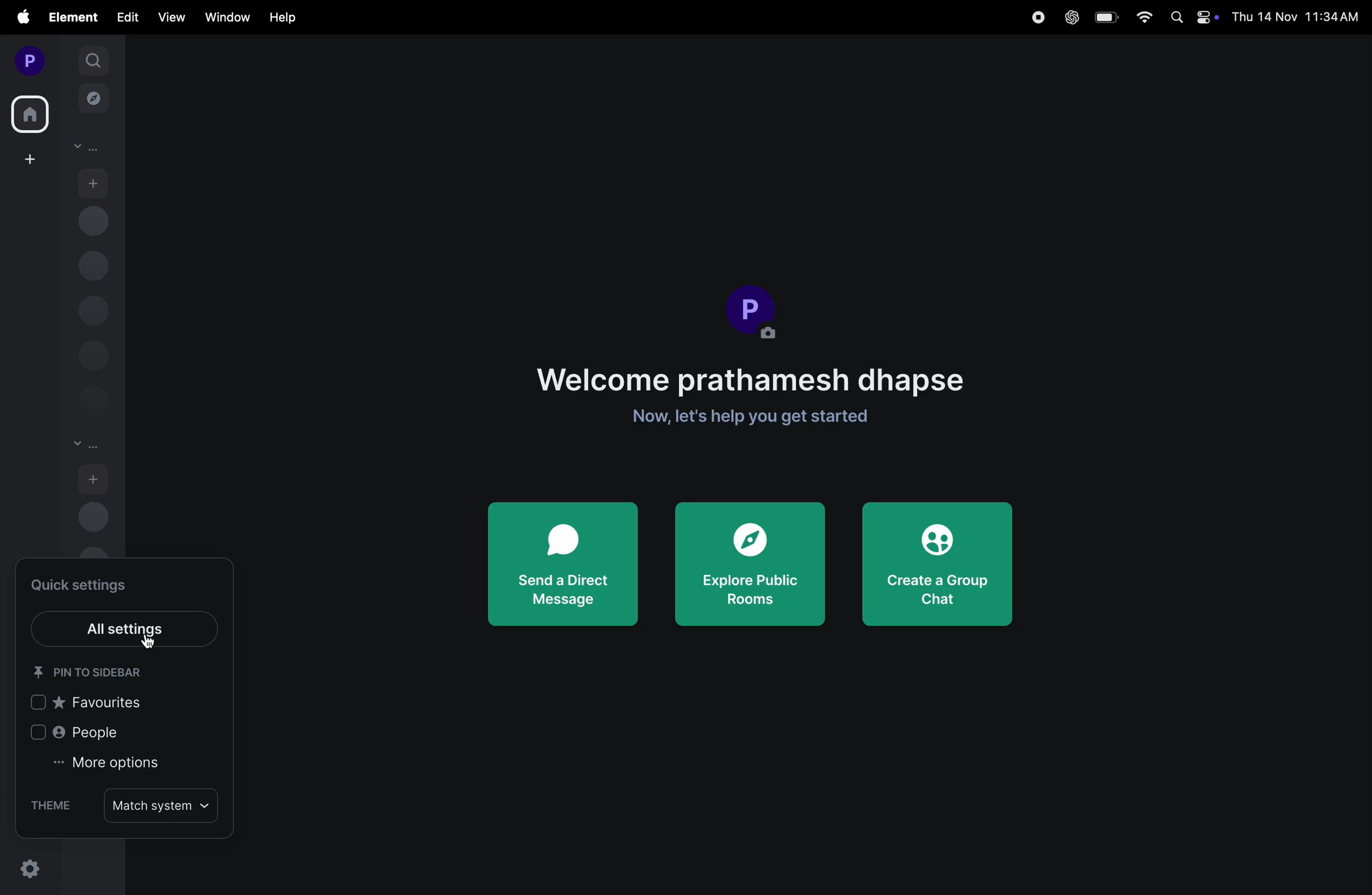 The width and height of the screenshot is (1372, 895). I want to click on match system, so click(163, 806).